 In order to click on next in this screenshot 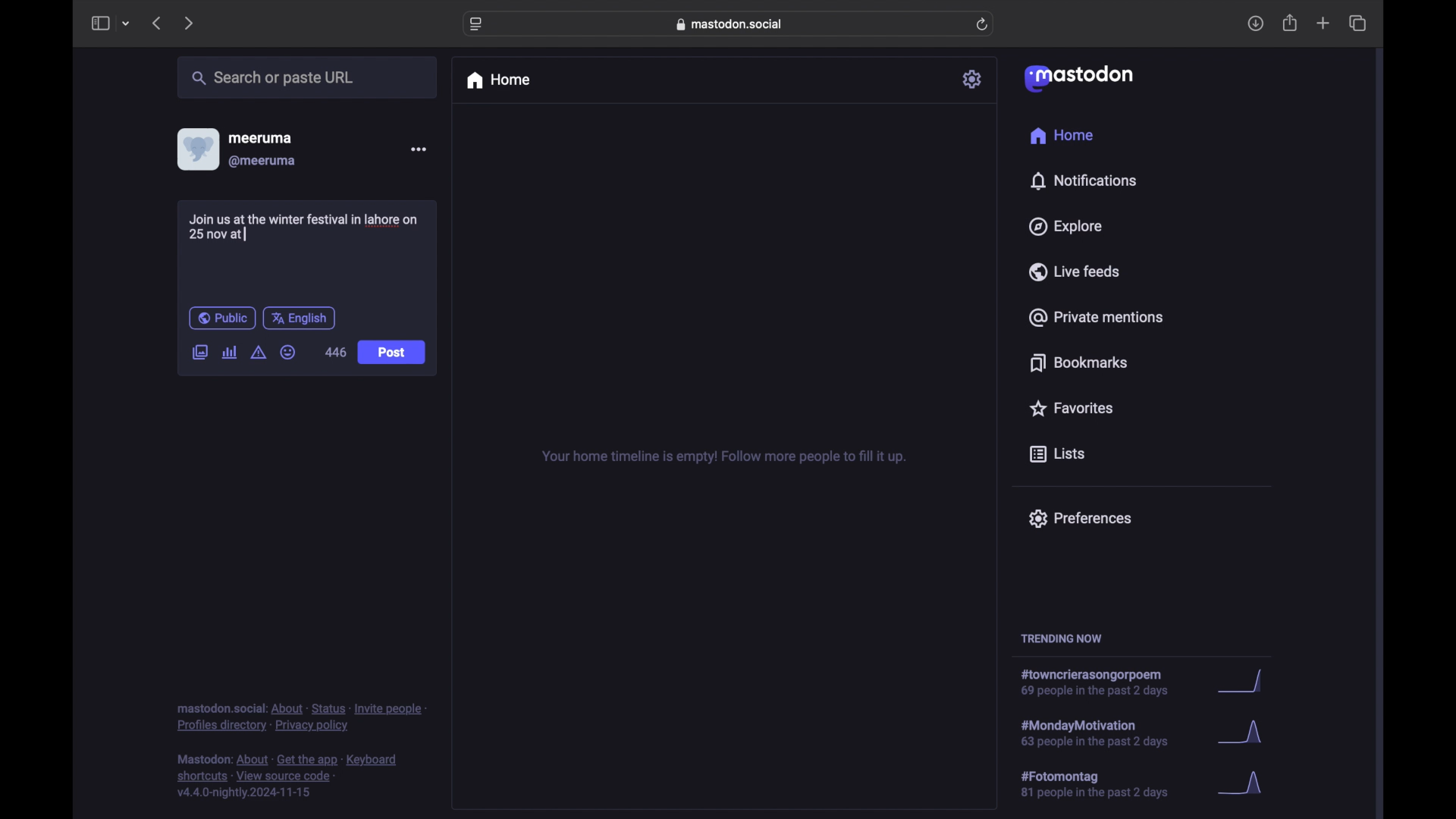, I will do `click(190, 23)`.